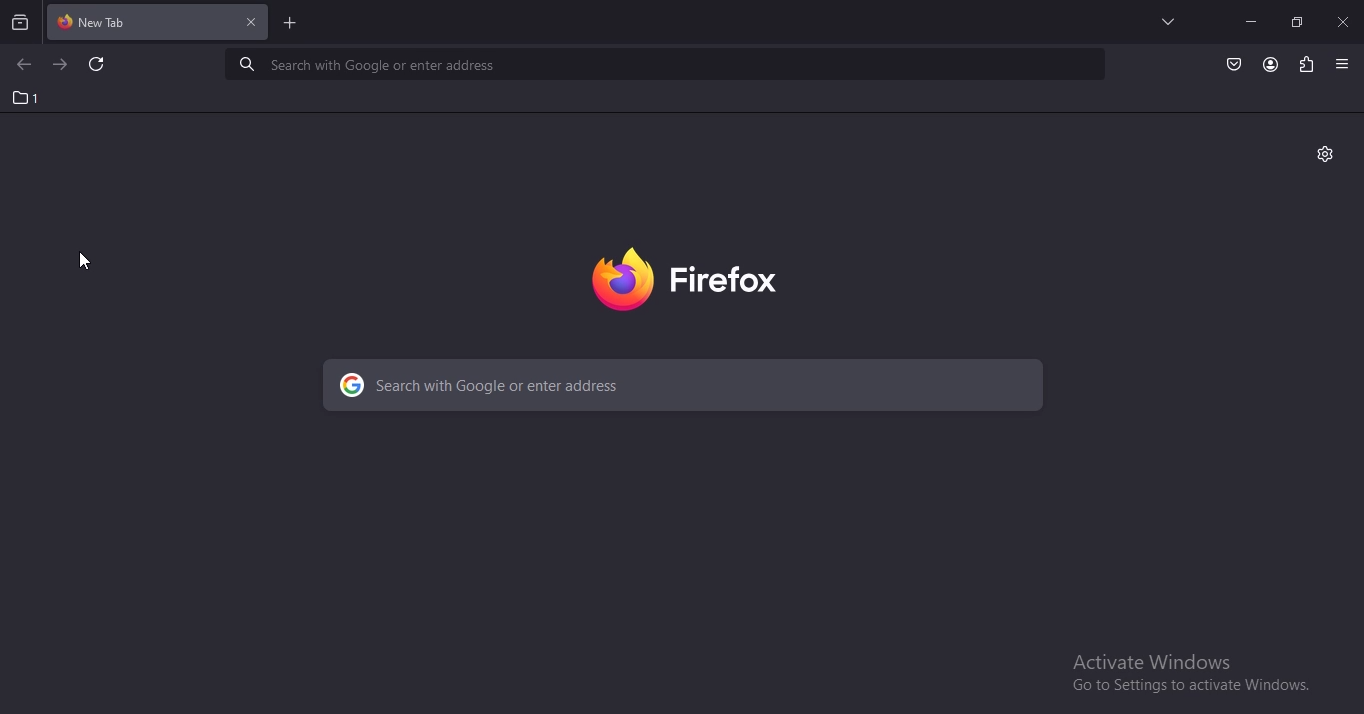  I want to click on list all tabs, so click(1163, 21).